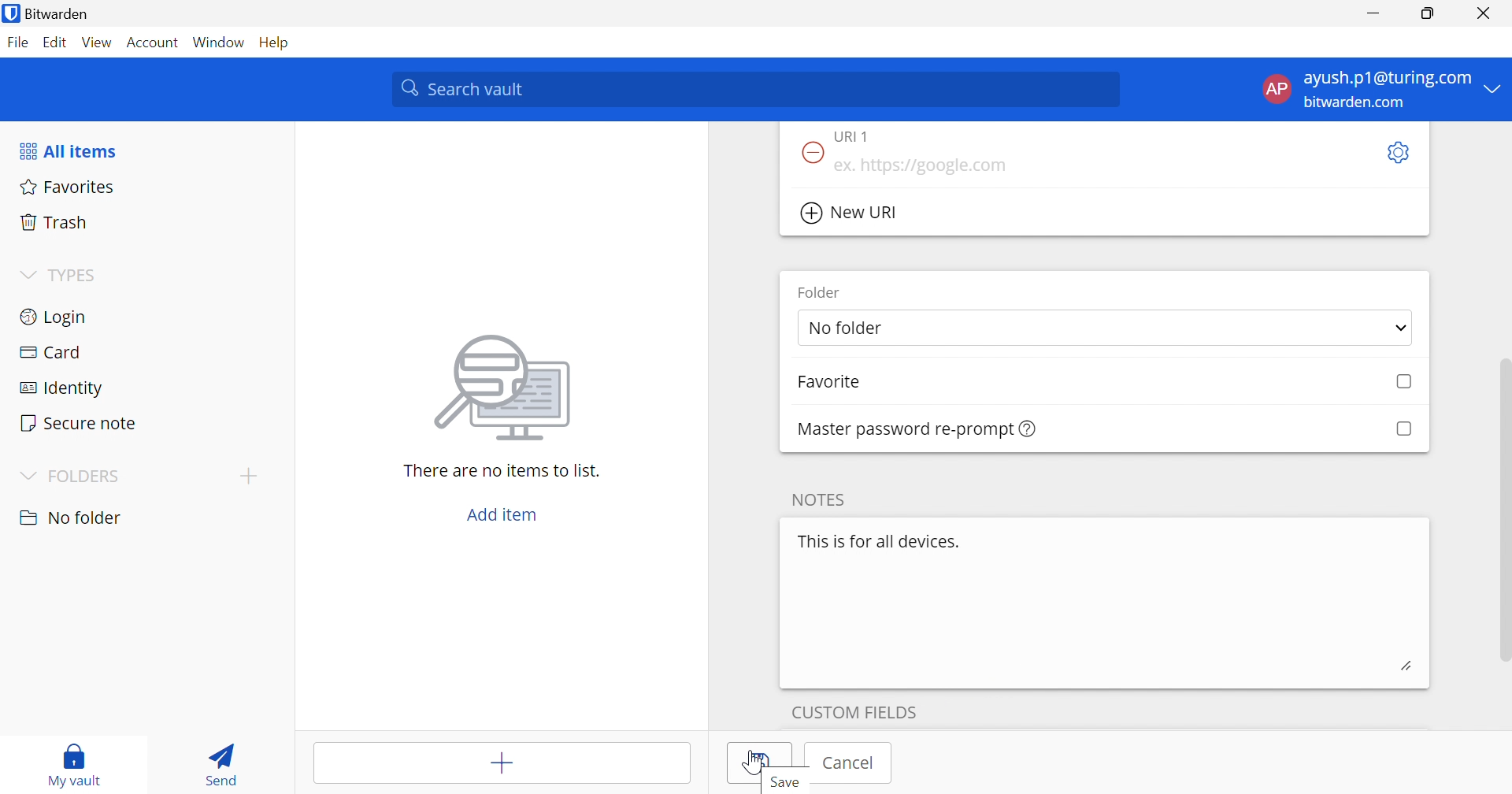 Image resolution: width=1512 pixels, height=794 pixels. I want to click on Remove, so click(810, 154).